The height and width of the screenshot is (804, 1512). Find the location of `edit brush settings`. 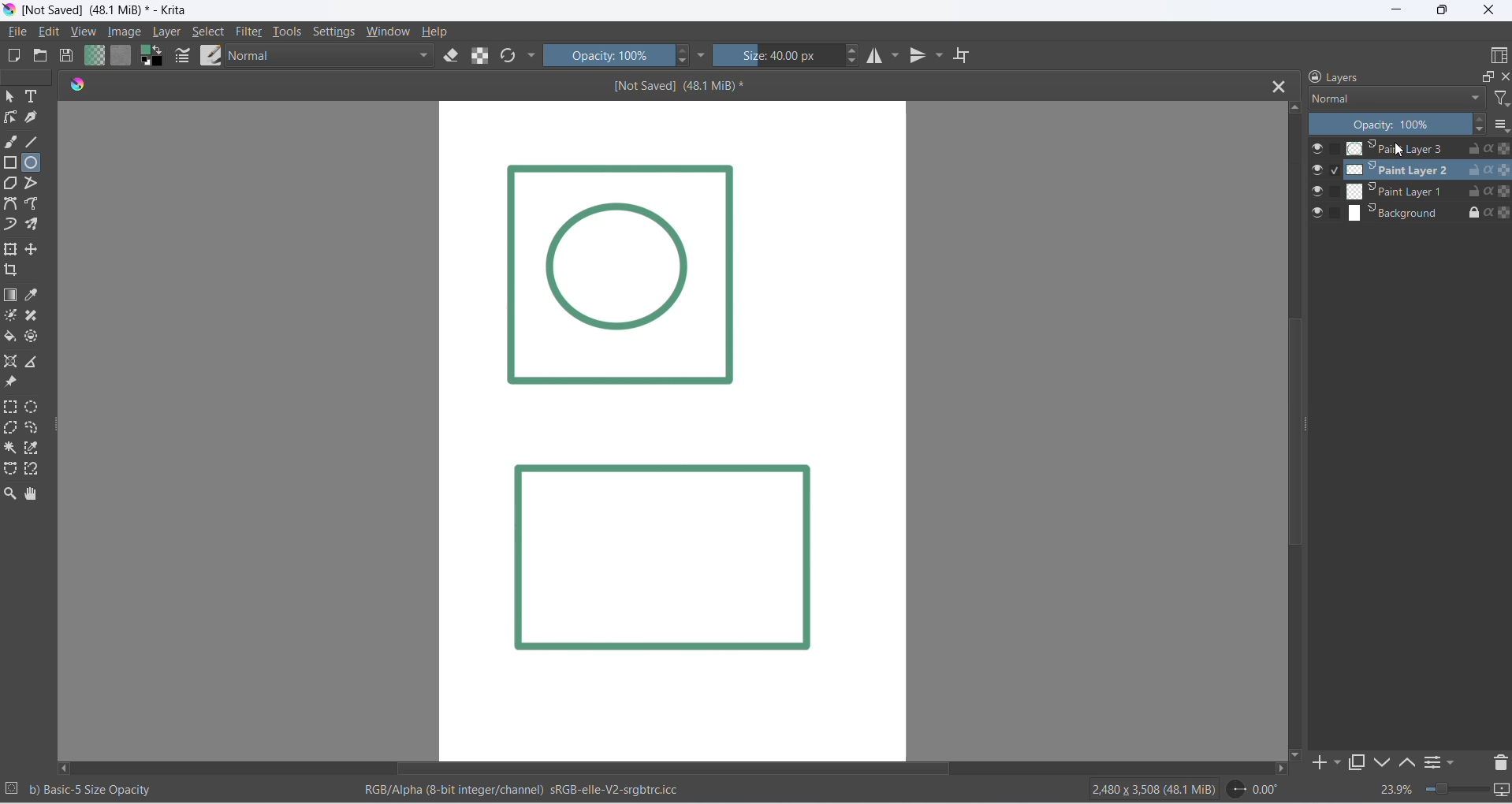

edit brush settings is located at coordinates (184, 58).